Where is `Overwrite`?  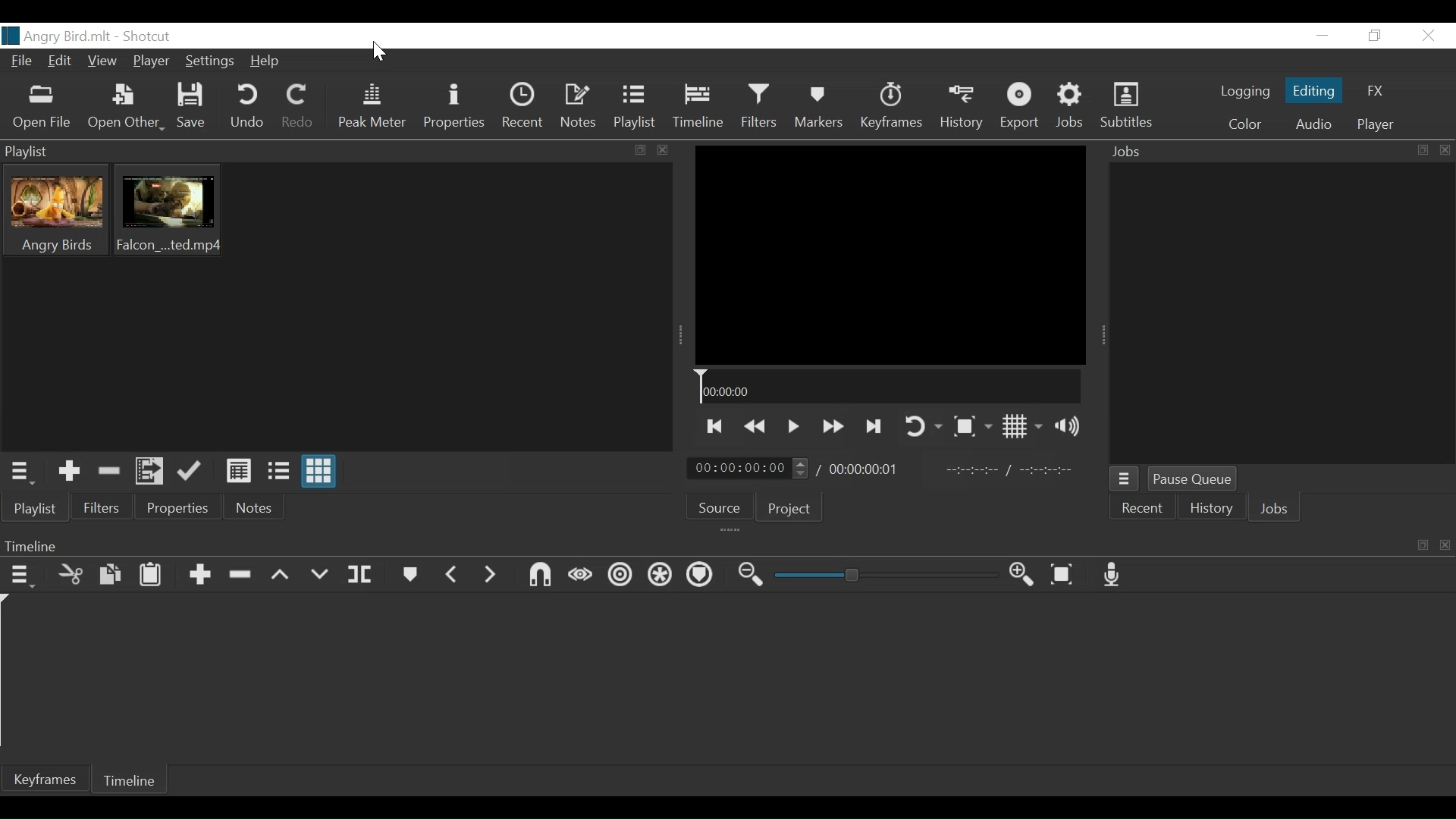
Overwrite is located at coordinates (322, 575).